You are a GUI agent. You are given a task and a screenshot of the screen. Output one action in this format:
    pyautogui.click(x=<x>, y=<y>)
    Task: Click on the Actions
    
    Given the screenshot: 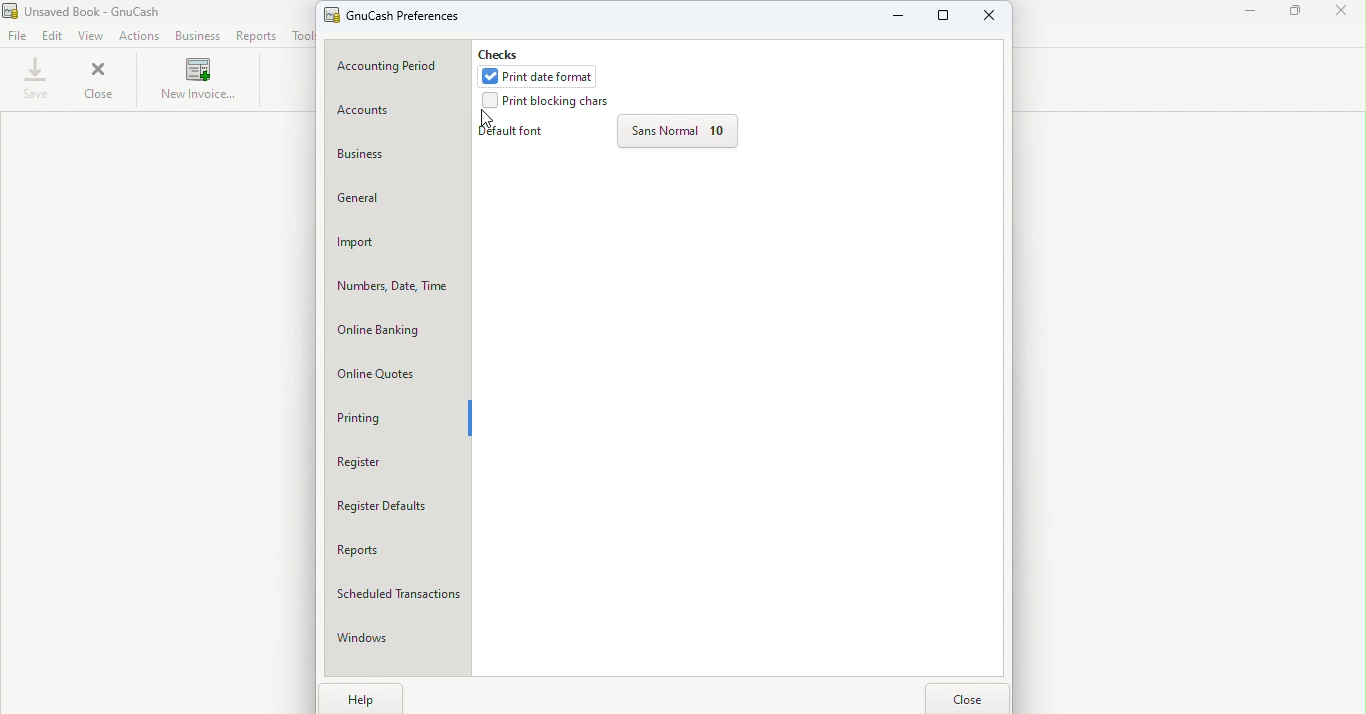 What is the action you would take?
    pyautogui.click(x=139, y=36)
    